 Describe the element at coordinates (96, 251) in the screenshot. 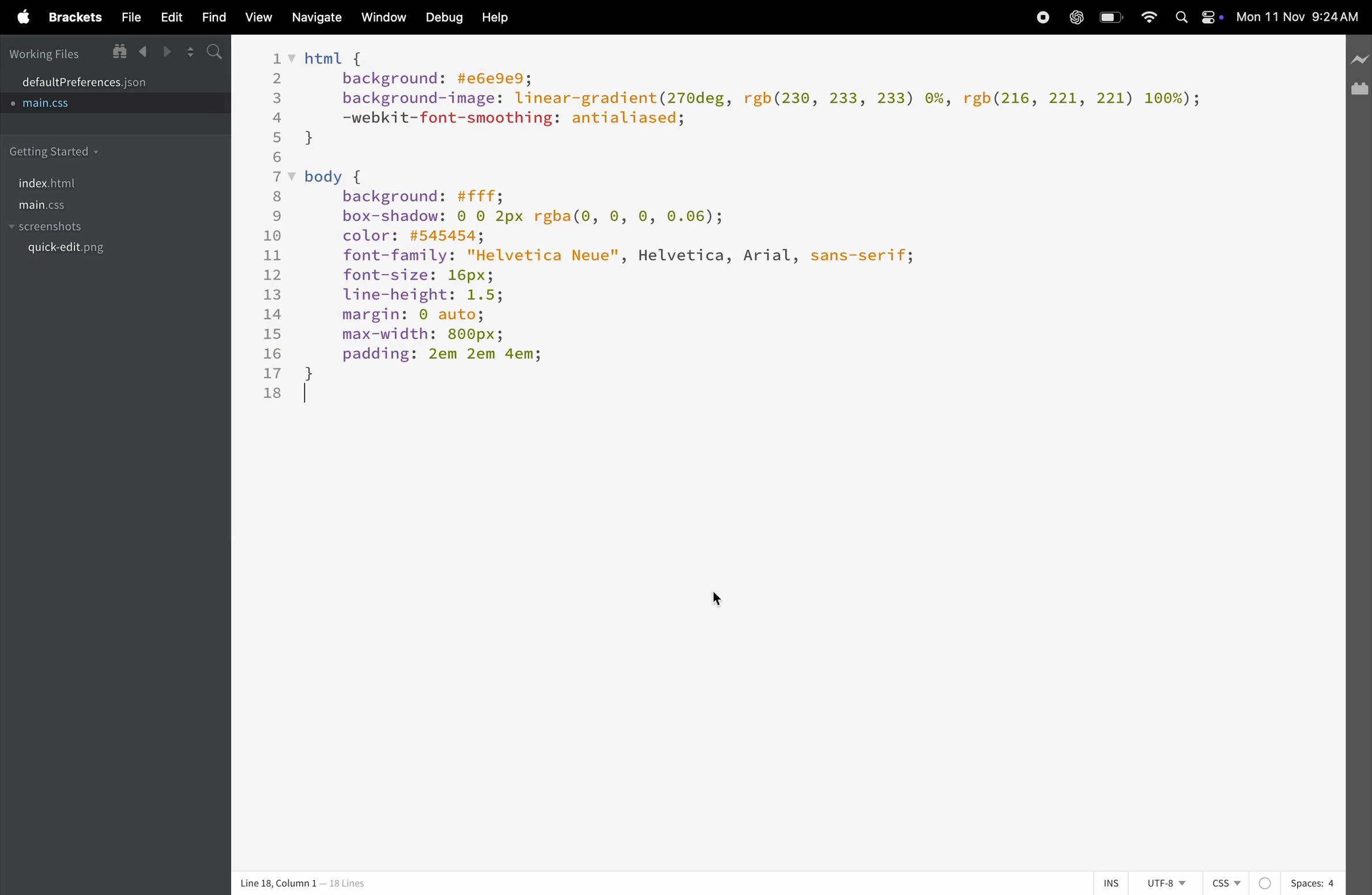

I see `quickedit.png` at that location.